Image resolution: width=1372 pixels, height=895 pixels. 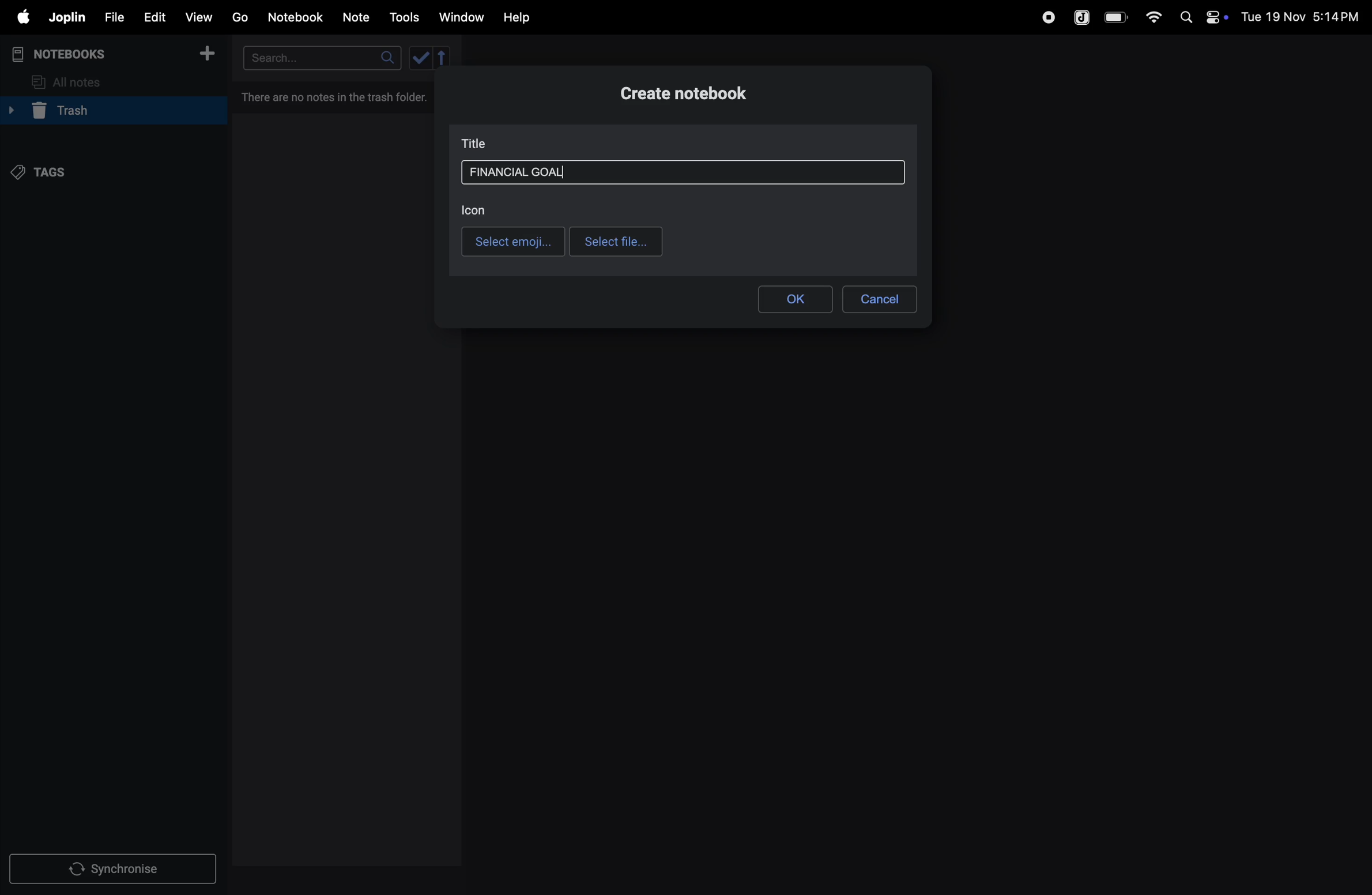 I want to click on date and time, so click(x=1304, y=16).